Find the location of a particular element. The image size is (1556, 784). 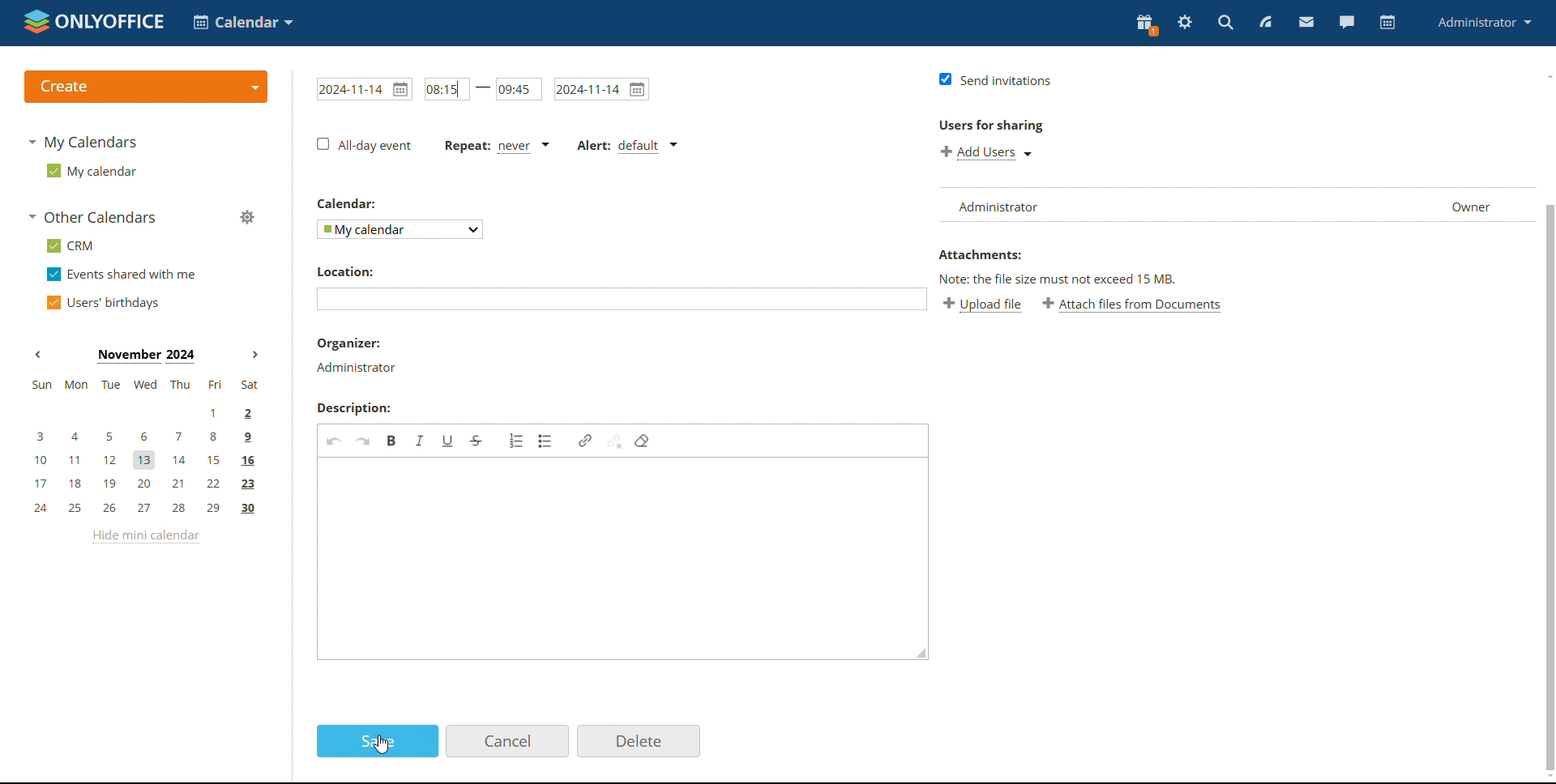

scroll up is located at coordinates (1546, 76).